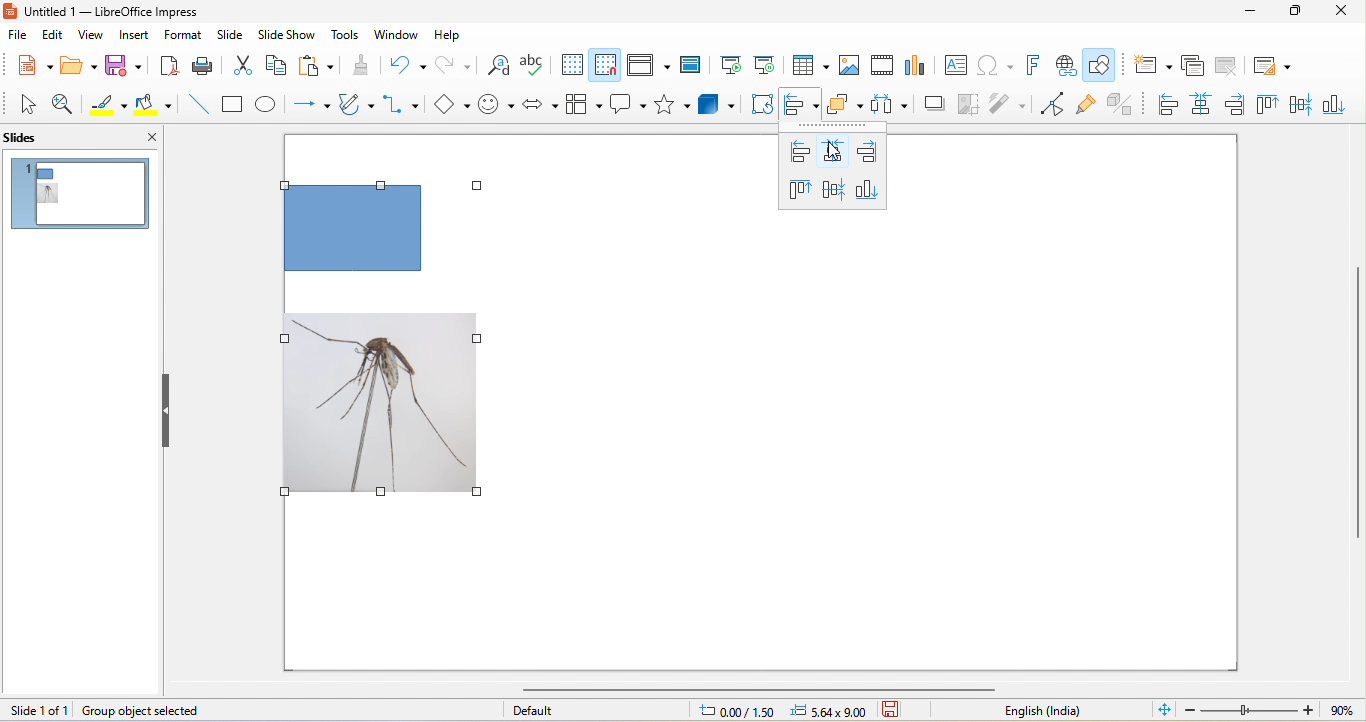  What do you see at coordinates (126, 13) in the screenshot?
I see `untitled 1- libreoffice impress` at bounding box center [126, 13].